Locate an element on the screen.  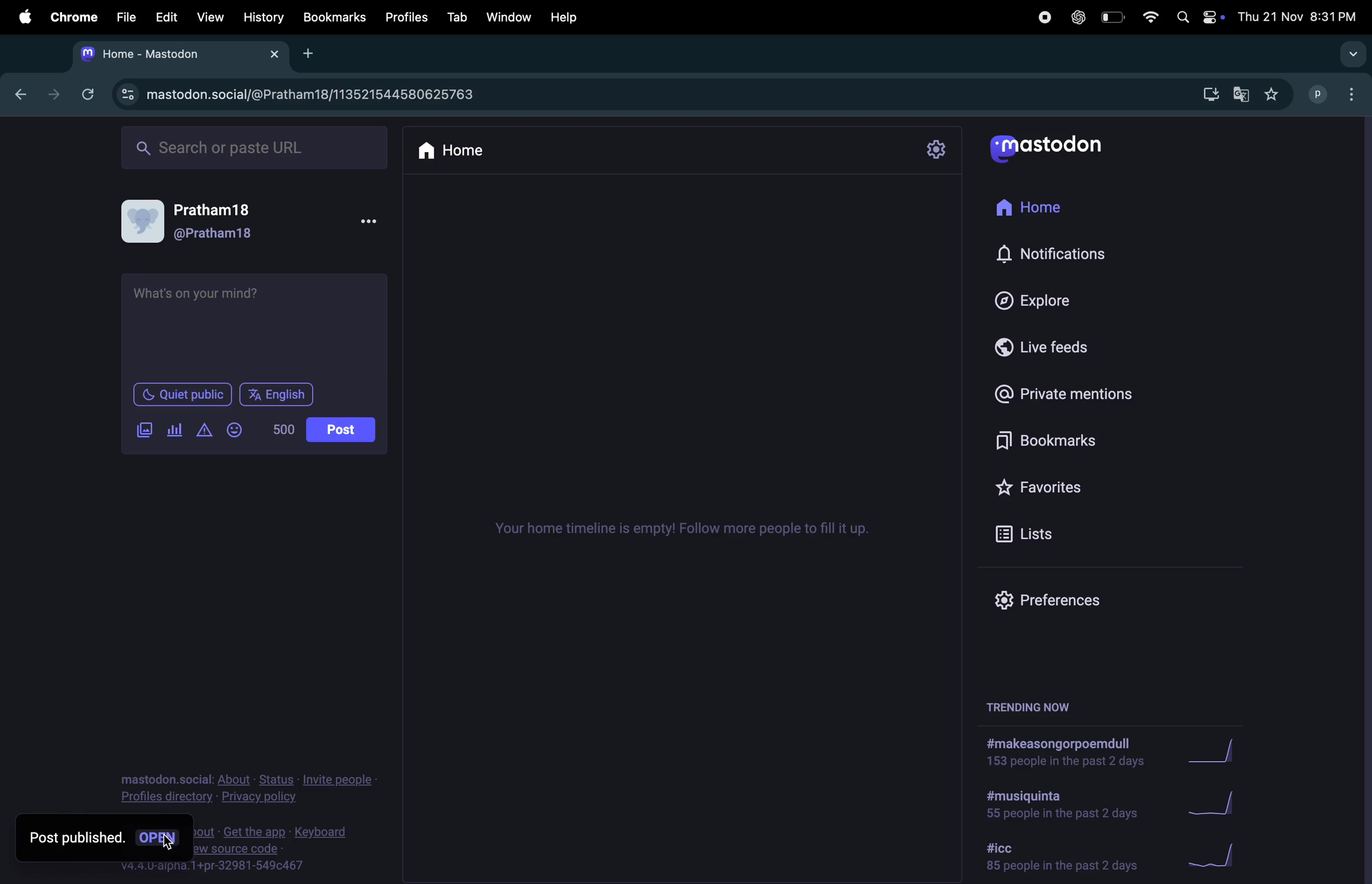
setting is located at coordinates (940, 150).